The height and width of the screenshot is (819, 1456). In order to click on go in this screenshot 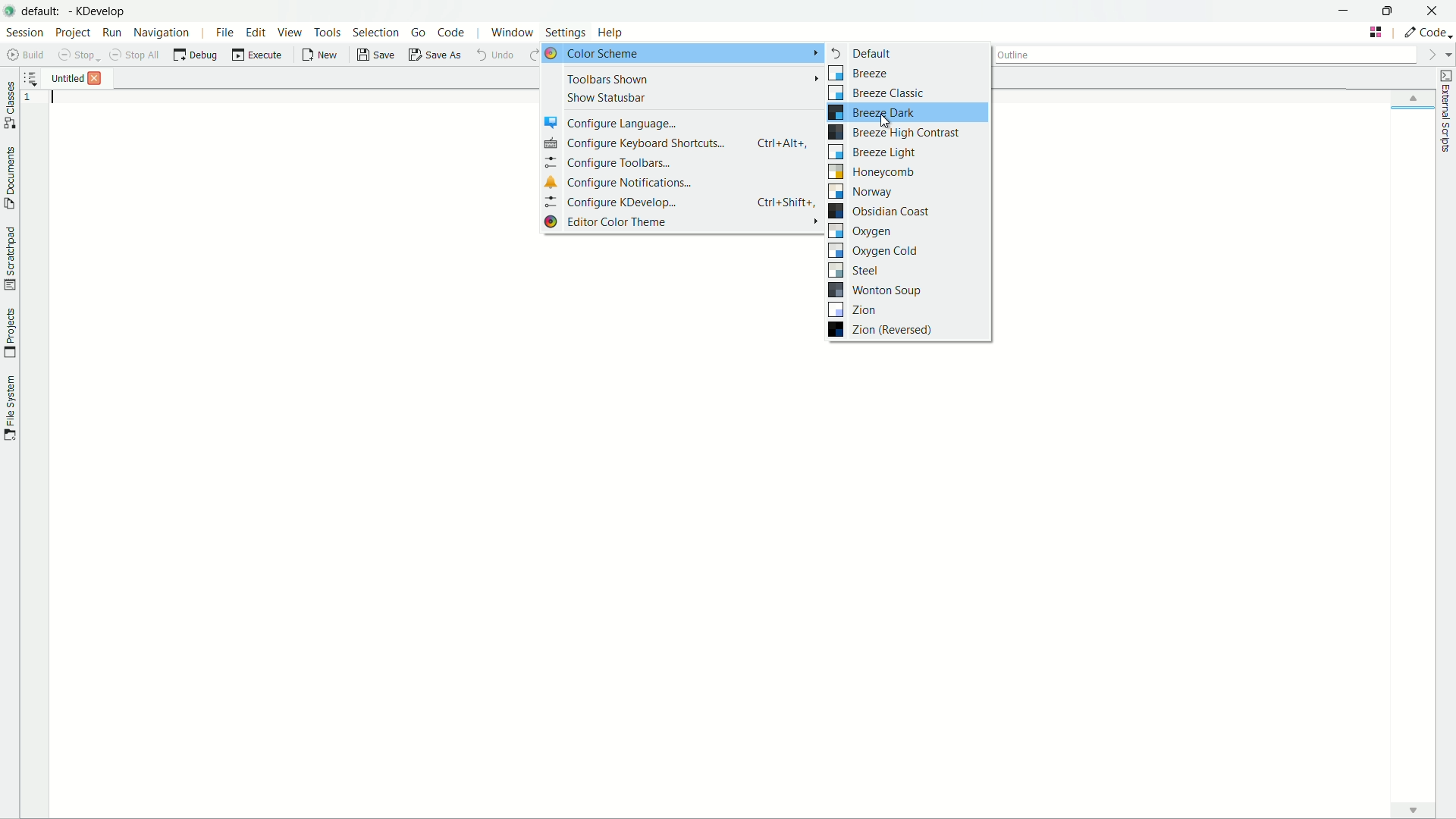, I will do `click(420, 32)`.